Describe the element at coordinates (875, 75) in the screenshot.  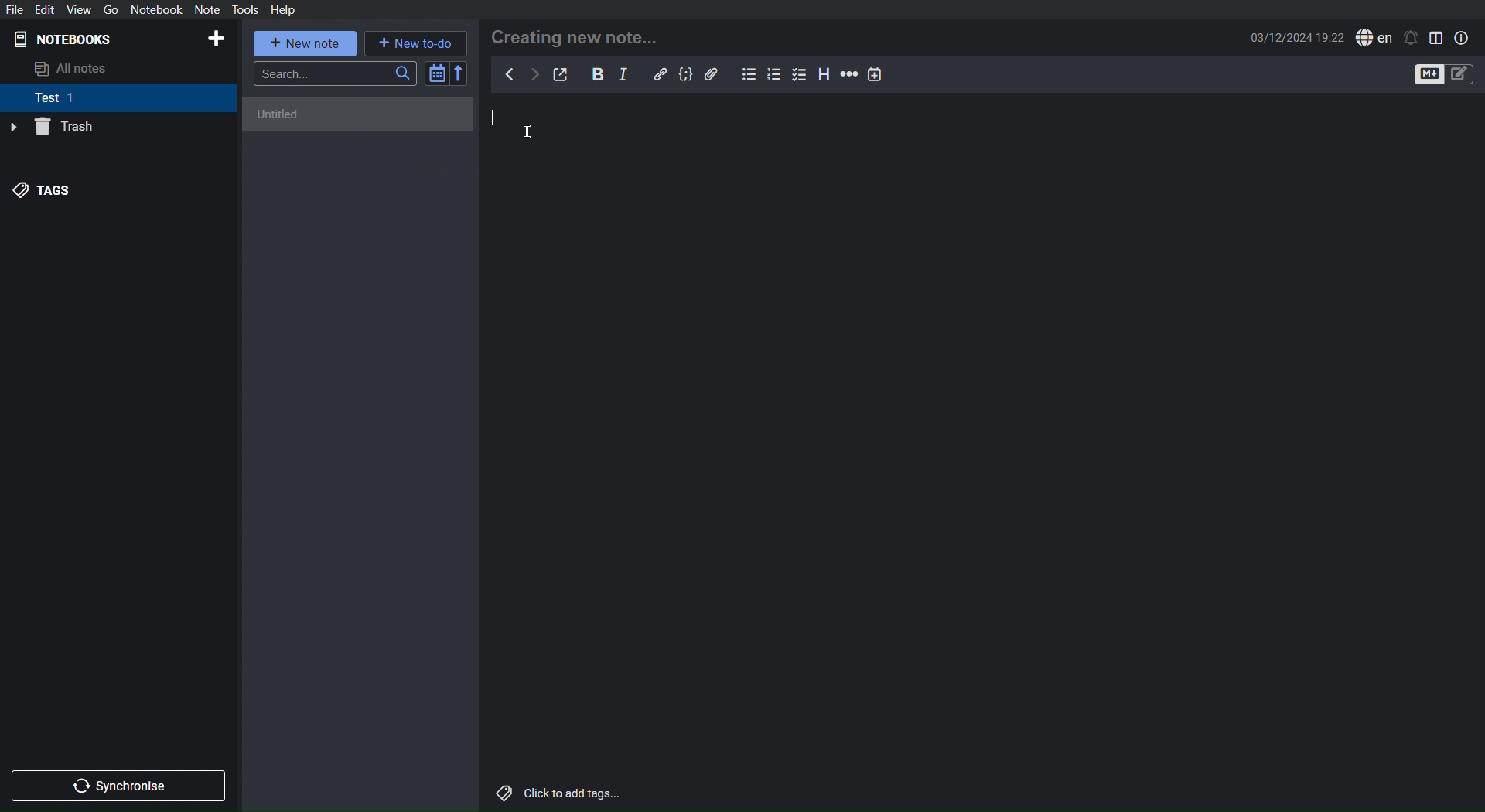
I see `Insert Time` at that location.